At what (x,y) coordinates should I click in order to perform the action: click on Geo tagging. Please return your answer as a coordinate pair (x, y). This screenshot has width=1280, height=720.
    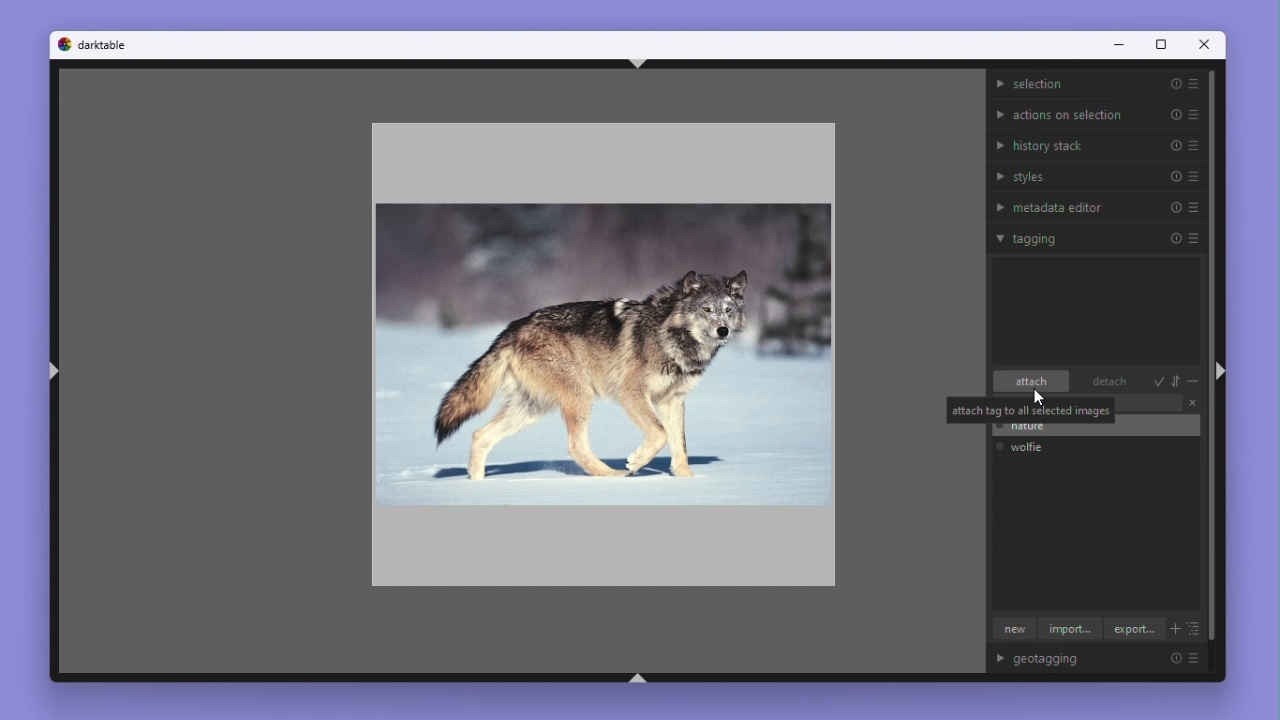
    Looking at the image, I should click on (1104, 660).